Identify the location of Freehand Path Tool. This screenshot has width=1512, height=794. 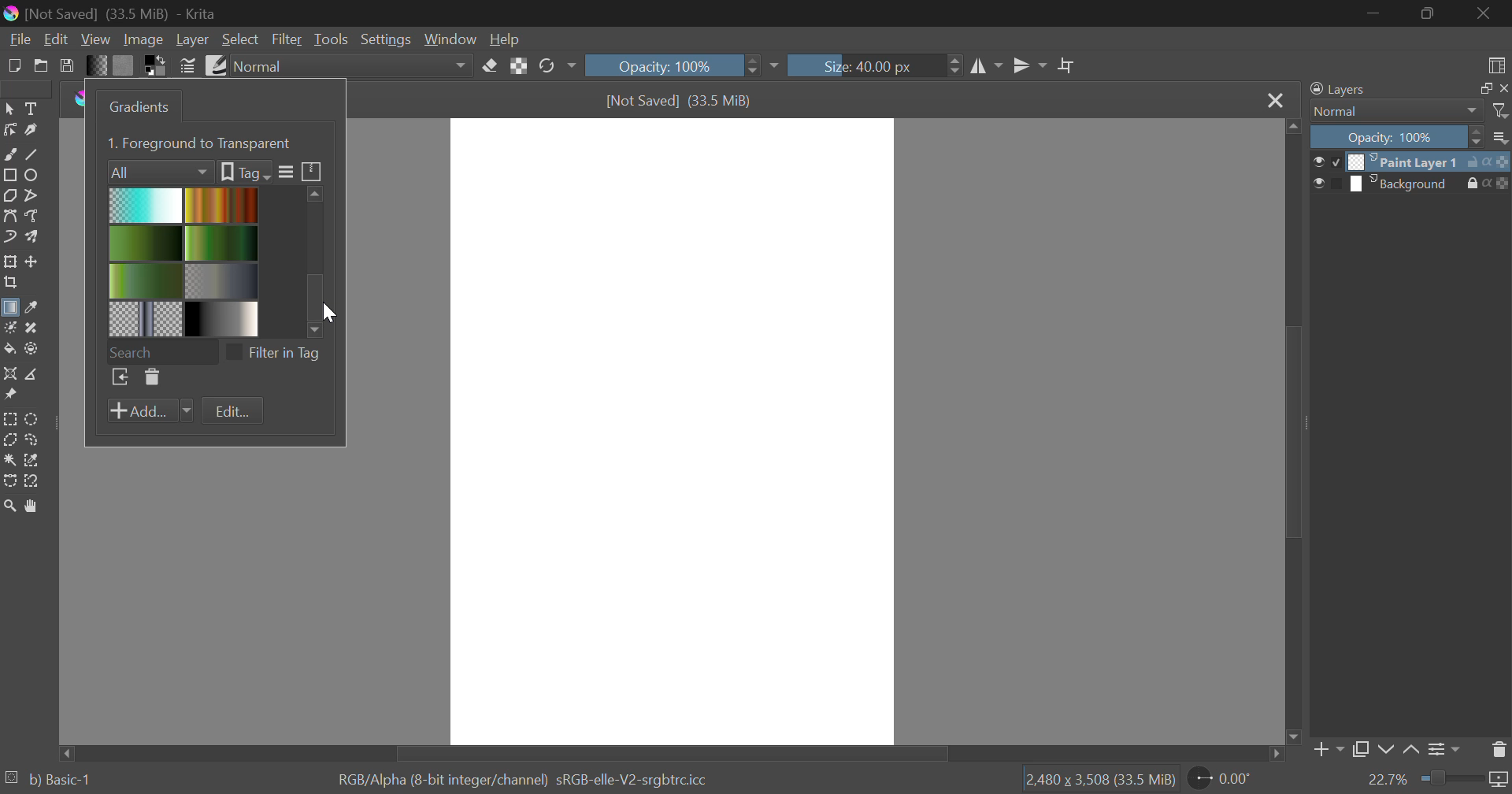
(35, 217).